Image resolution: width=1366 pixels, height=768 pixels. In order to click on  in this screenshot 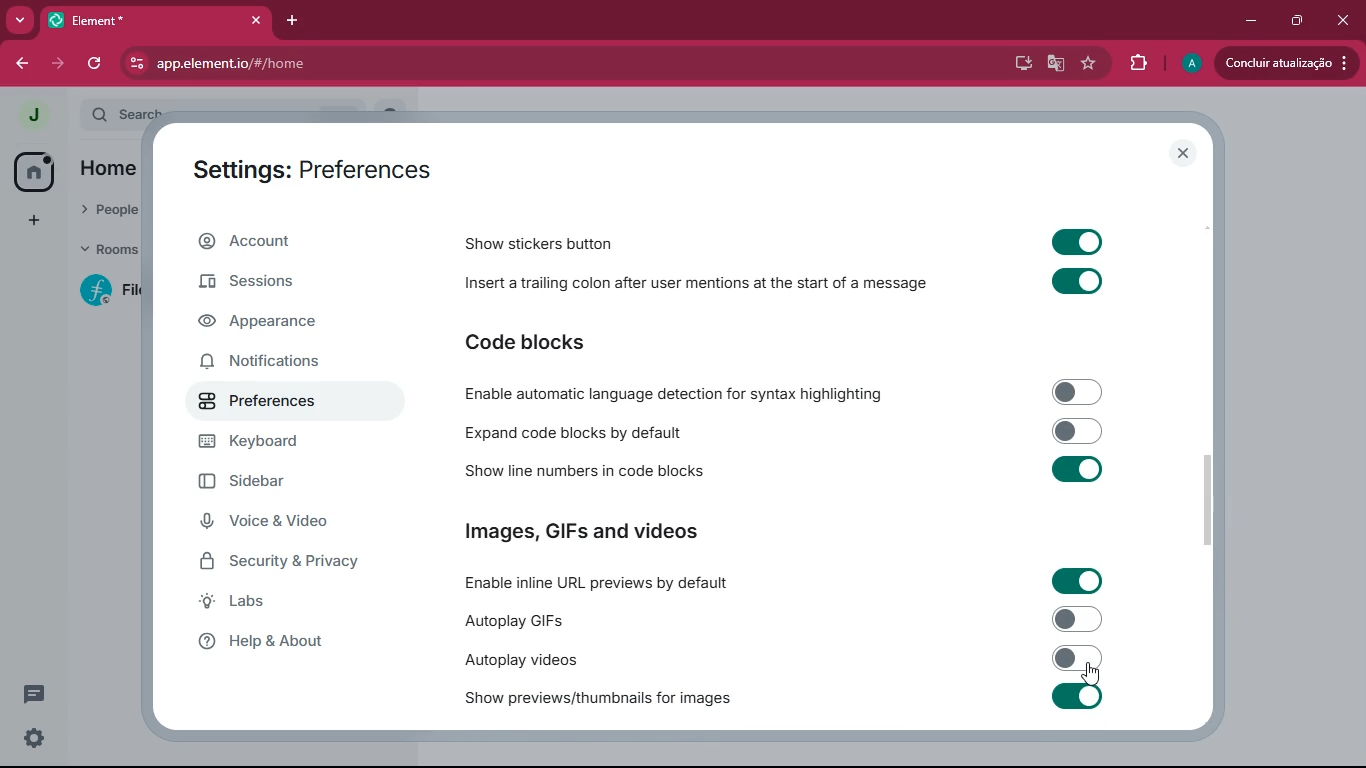, I will do `click(1078, 658)`.